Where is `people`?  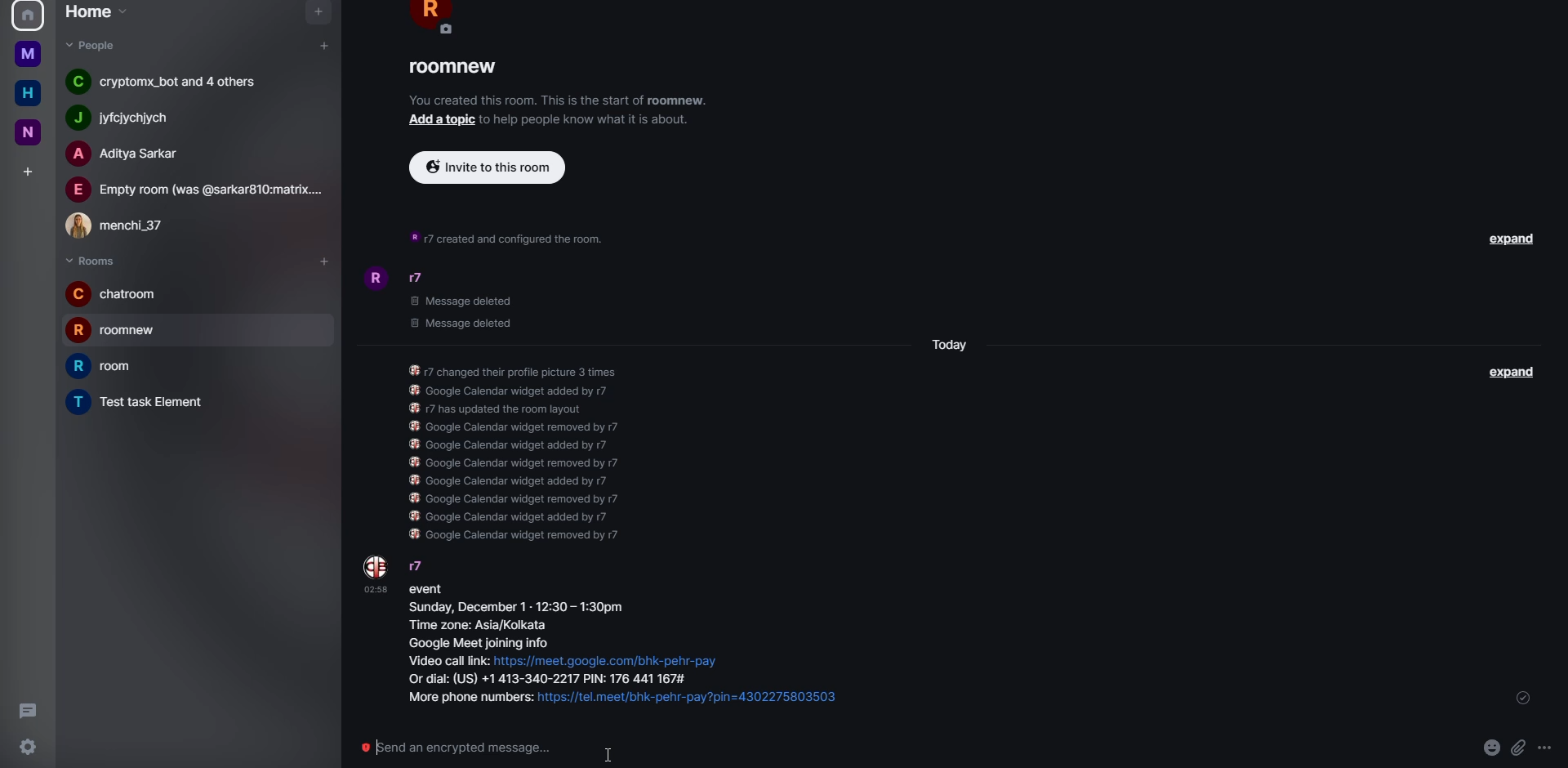 people is located at coordinates (198, 190).